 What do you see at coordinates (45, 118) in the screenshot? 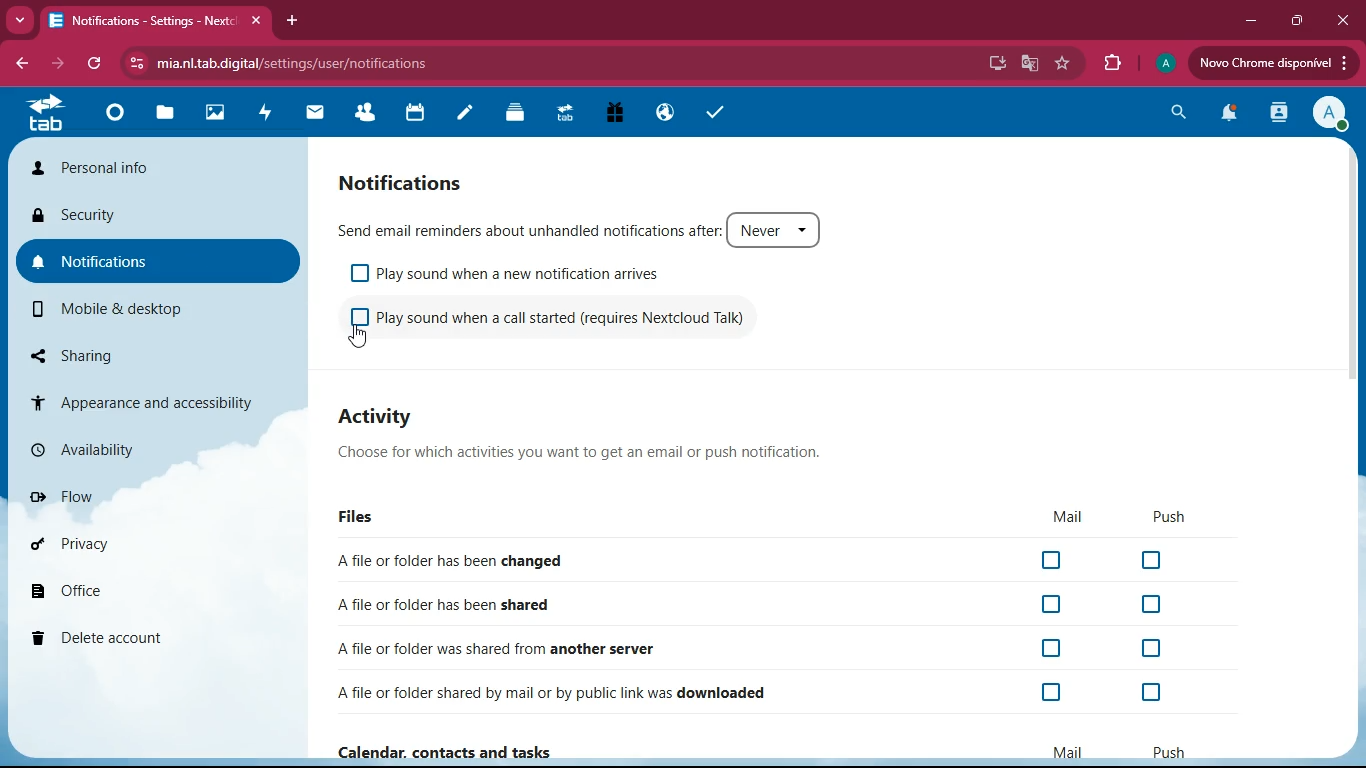
I see `tab` at bounding box center [45, 118].